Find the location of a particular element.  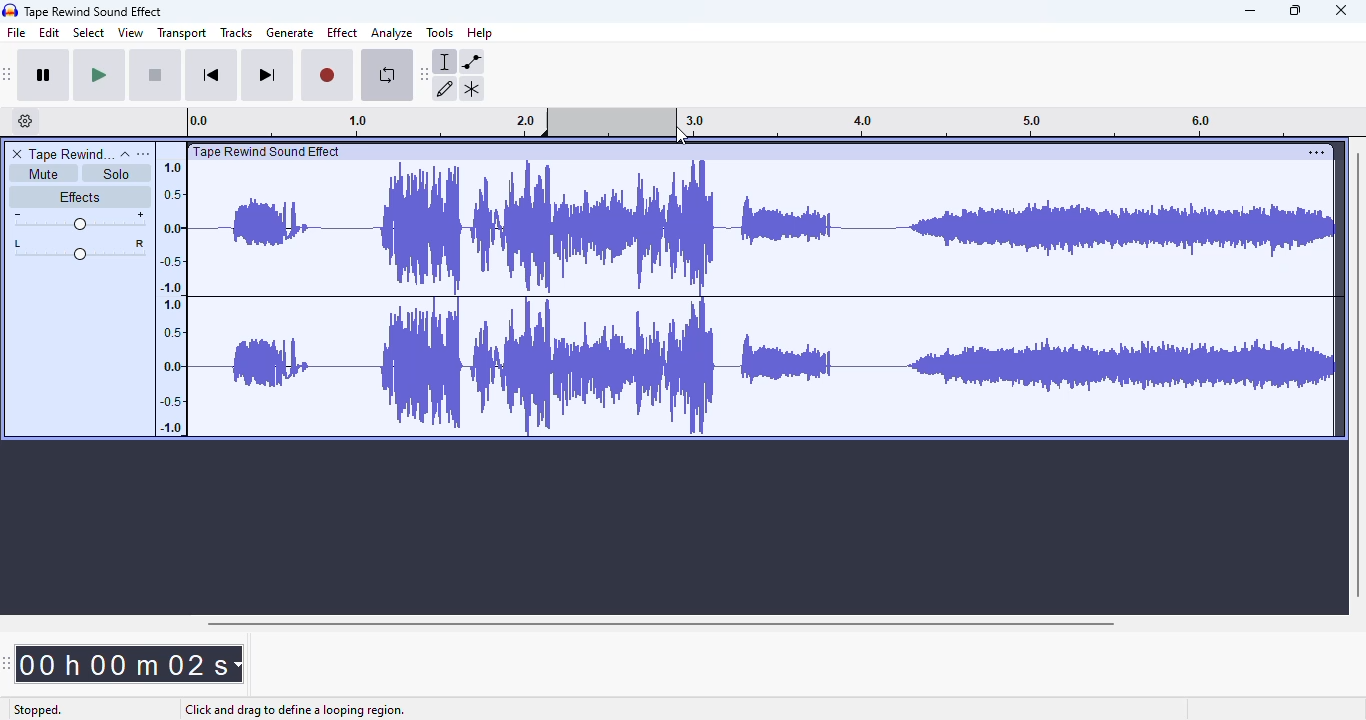

envelope tool is located at coordinates (472, 62).